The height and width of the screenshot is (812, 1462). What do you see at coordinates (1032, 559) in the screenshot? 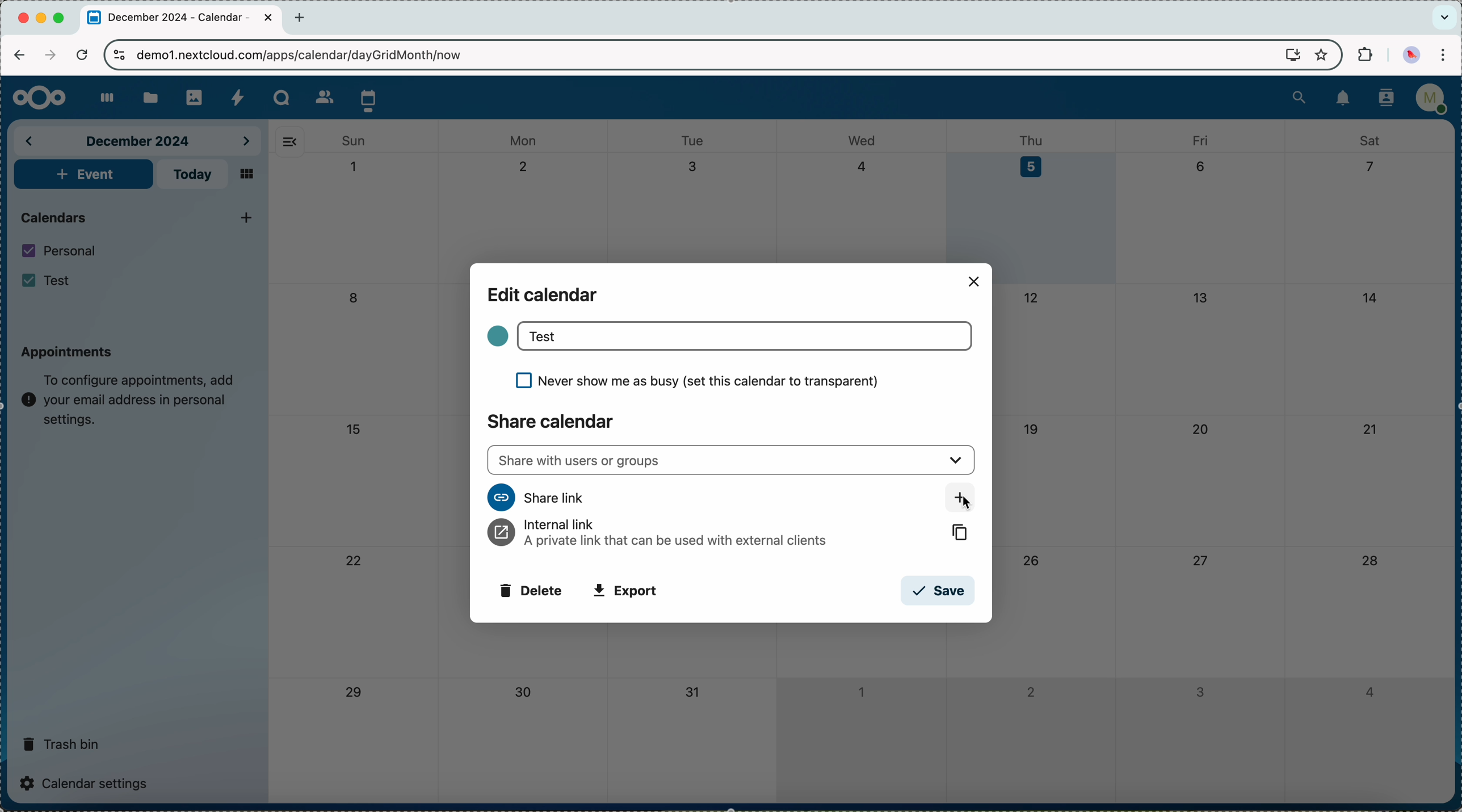
I see `26` at bounding box center [1032, 559].